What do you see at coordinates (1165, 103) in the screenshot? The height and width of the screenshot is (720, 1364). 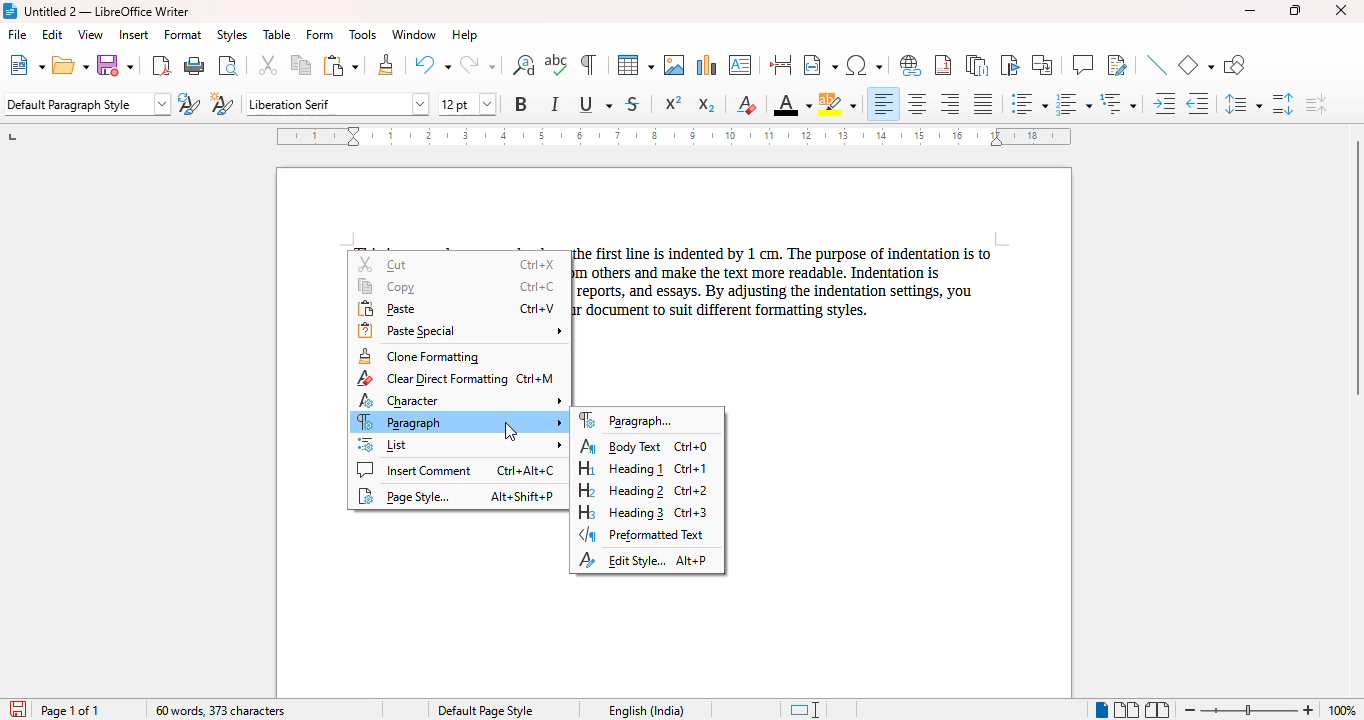 I see `increase indent` at bounding box center [1165, 103].